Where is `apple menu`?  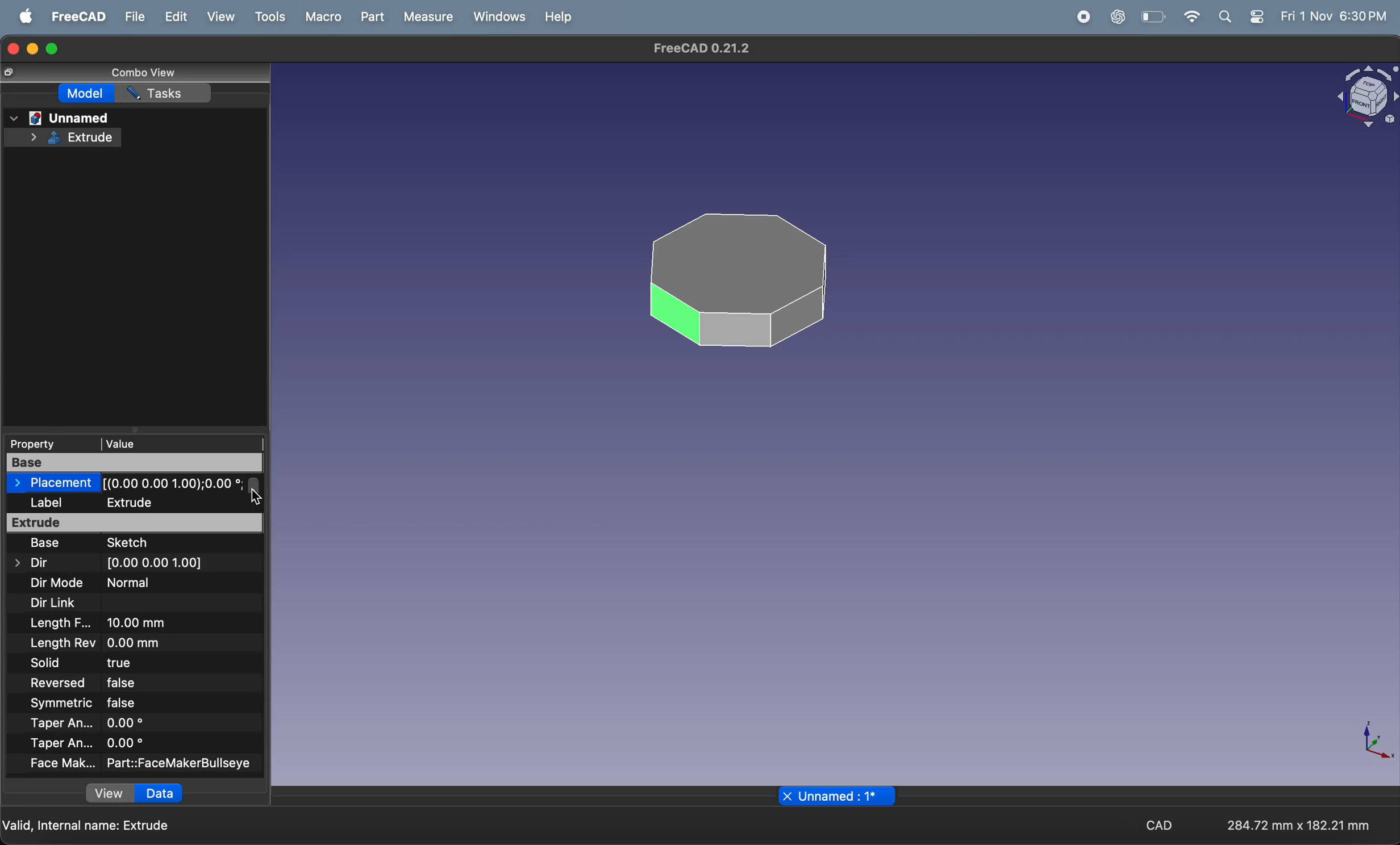
apple menu is located at coordinates (23, 17).